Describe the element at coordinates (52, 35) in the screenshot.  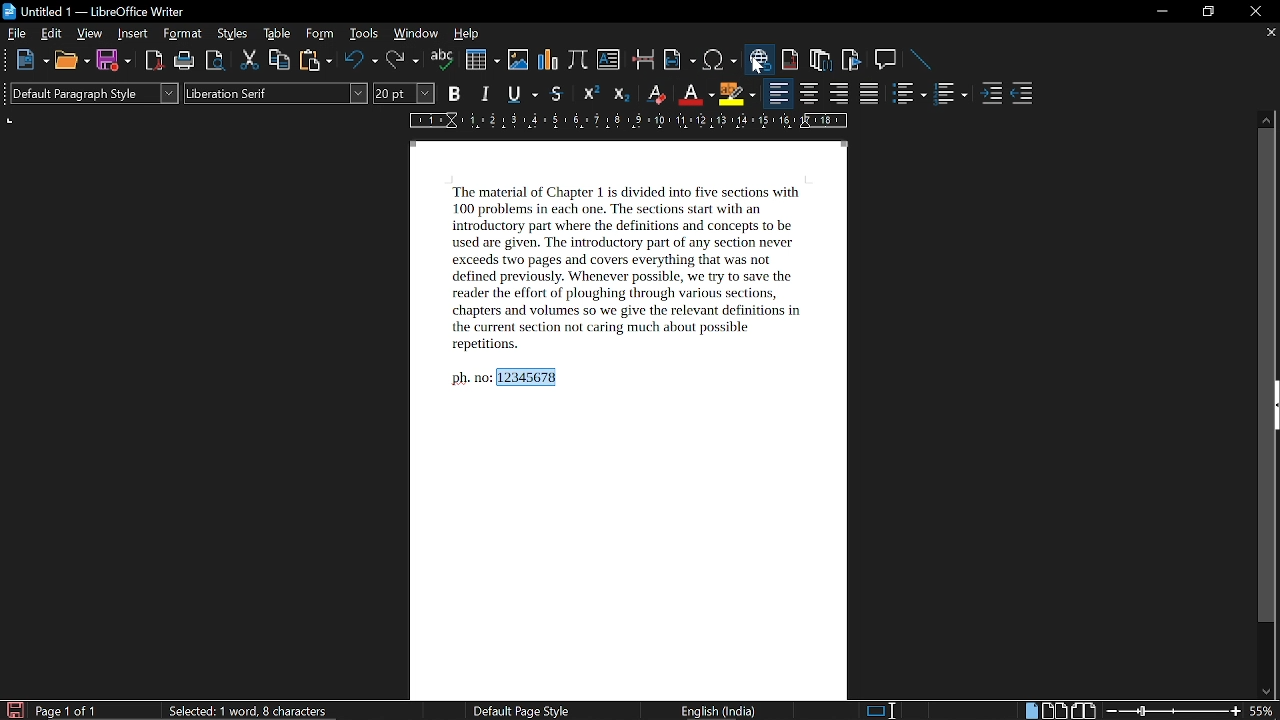
I see `edit` at that location.